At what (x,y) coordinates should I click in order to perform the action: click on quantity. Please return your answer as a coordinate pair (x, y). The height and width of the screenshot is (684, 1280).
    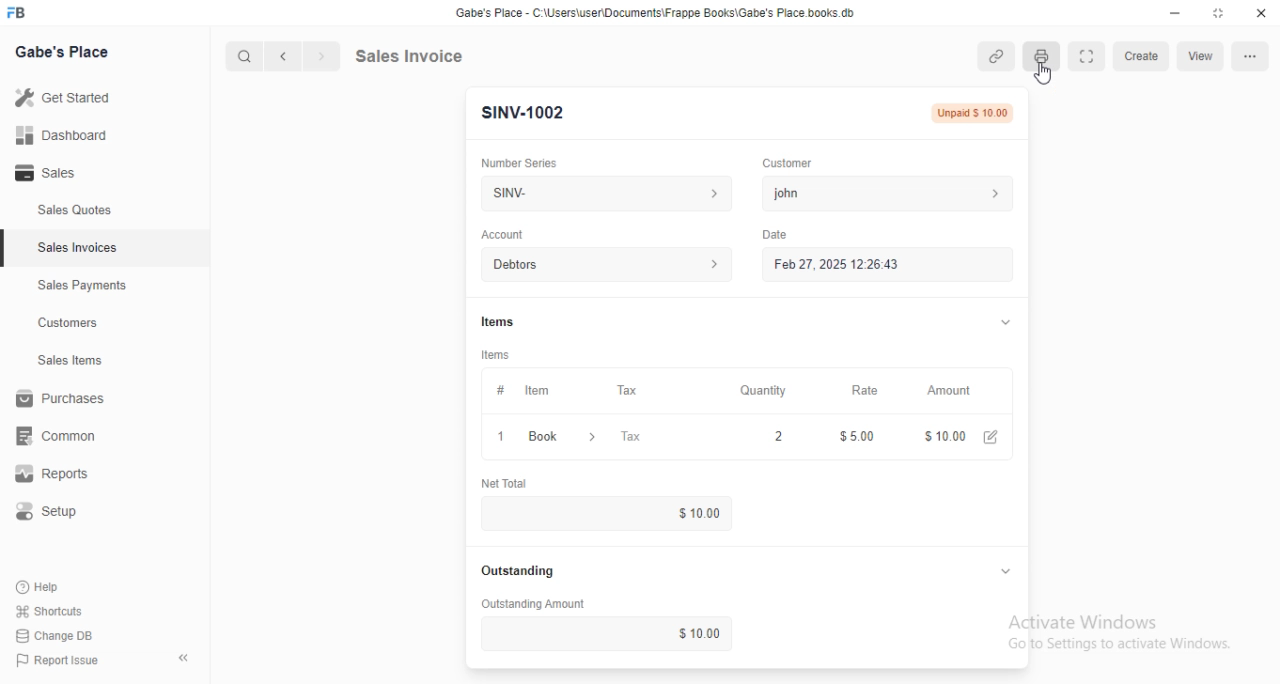
    Looking at the image, I should click on (763, 391).